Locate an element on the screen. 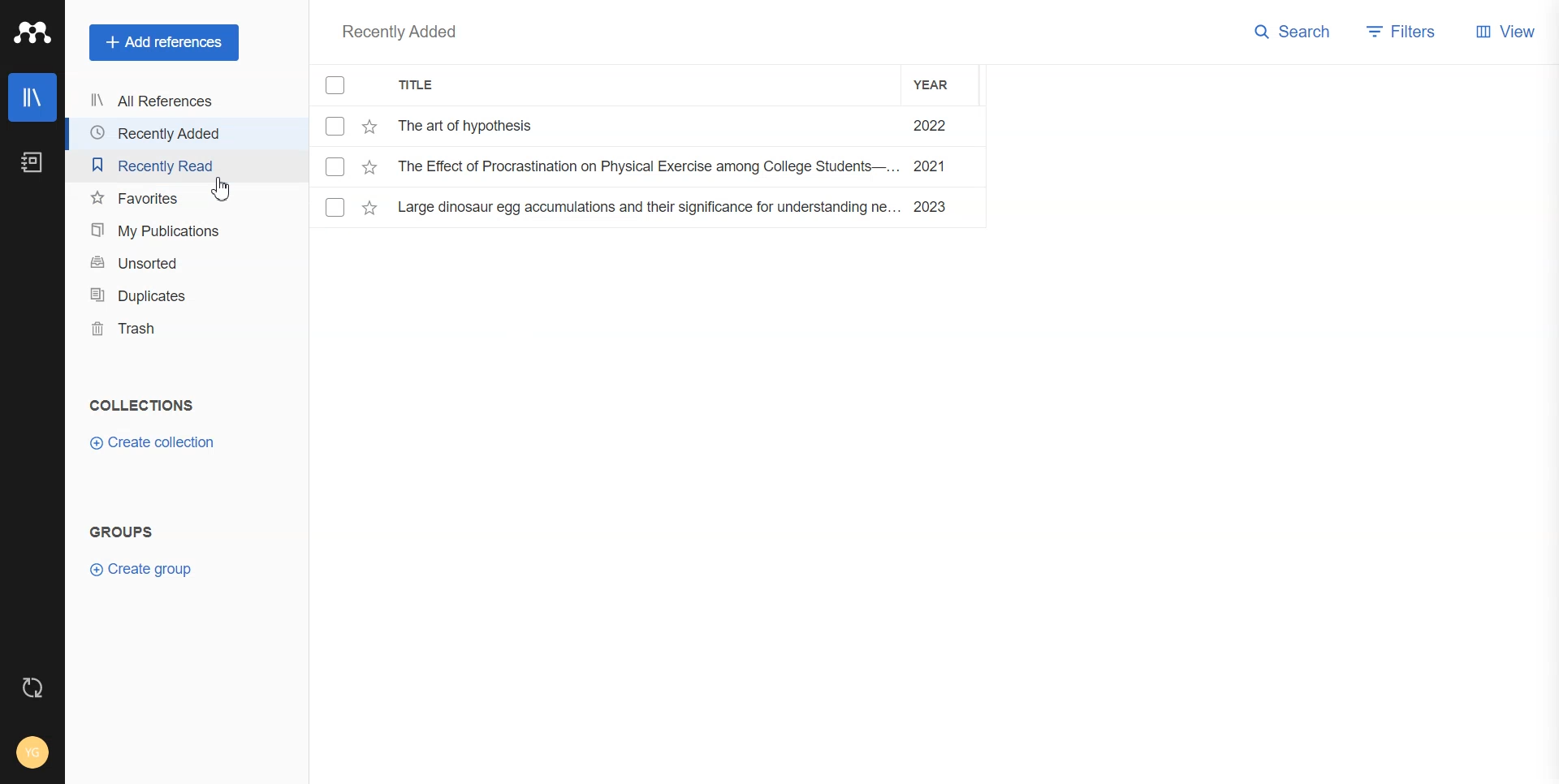  Notebook is located at coordinates (32, 162).